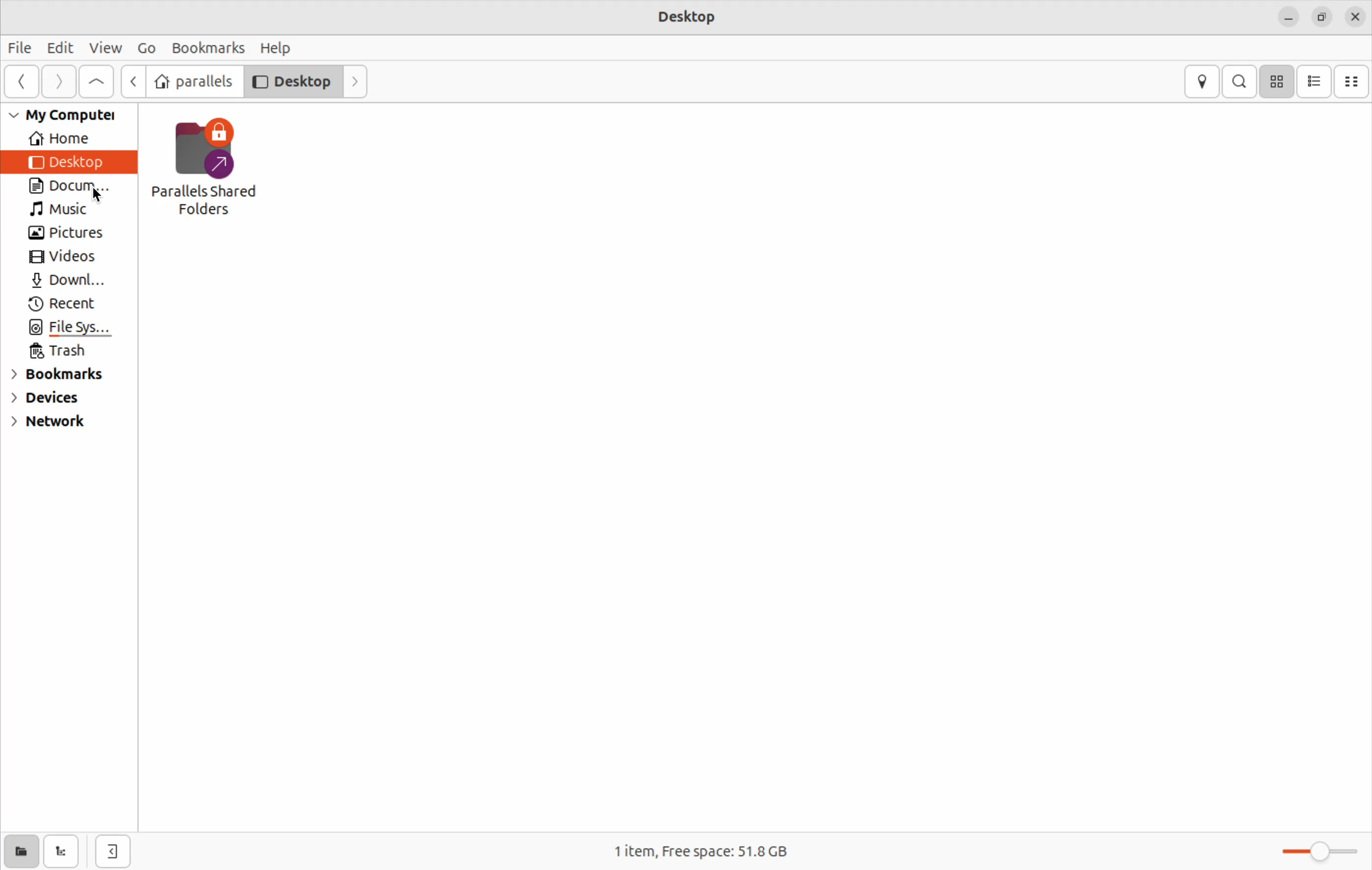  I want to click on close editor, so click(112, 852).